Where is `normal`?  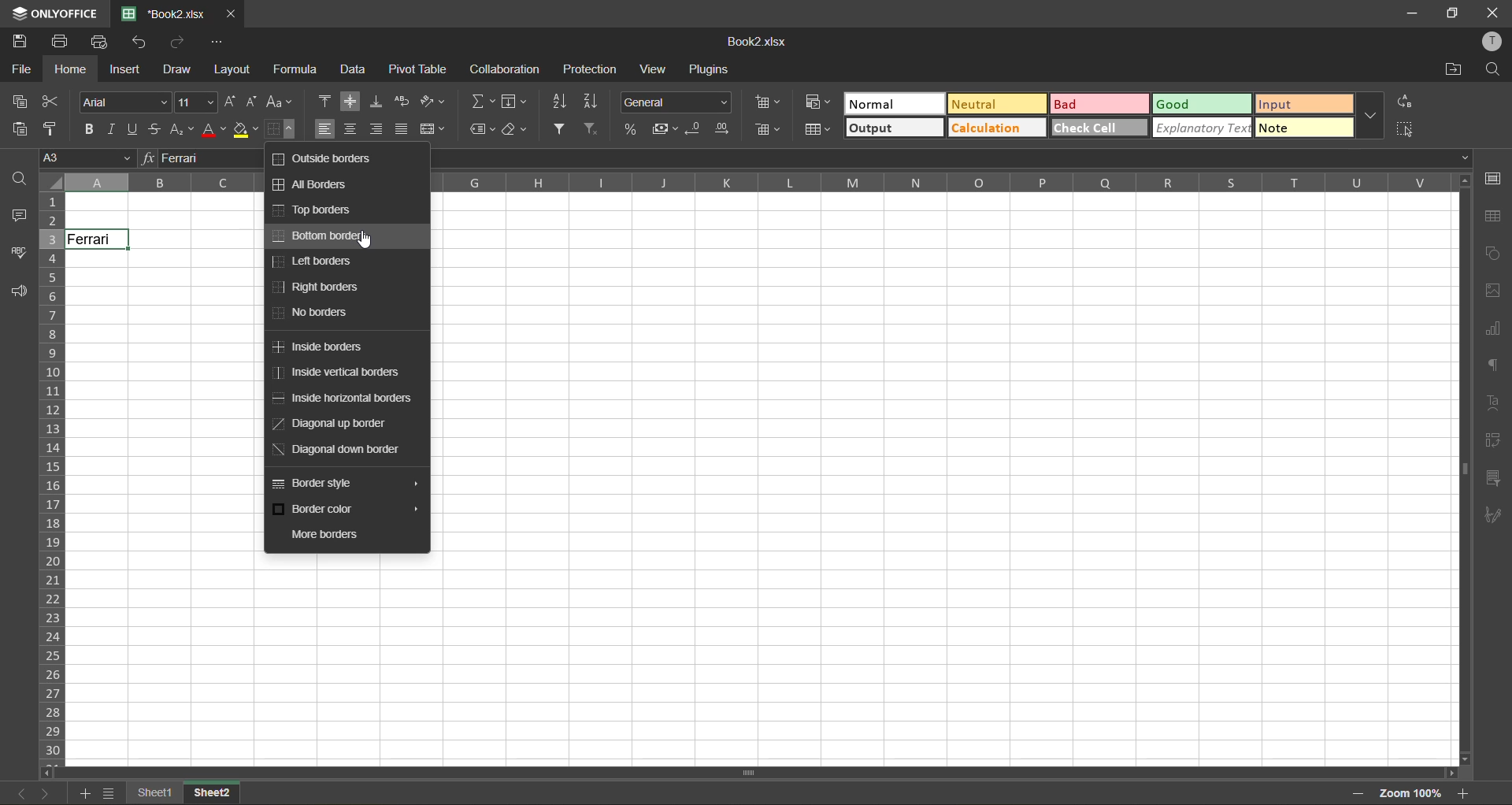
normal is located at coordinates (892, 104).